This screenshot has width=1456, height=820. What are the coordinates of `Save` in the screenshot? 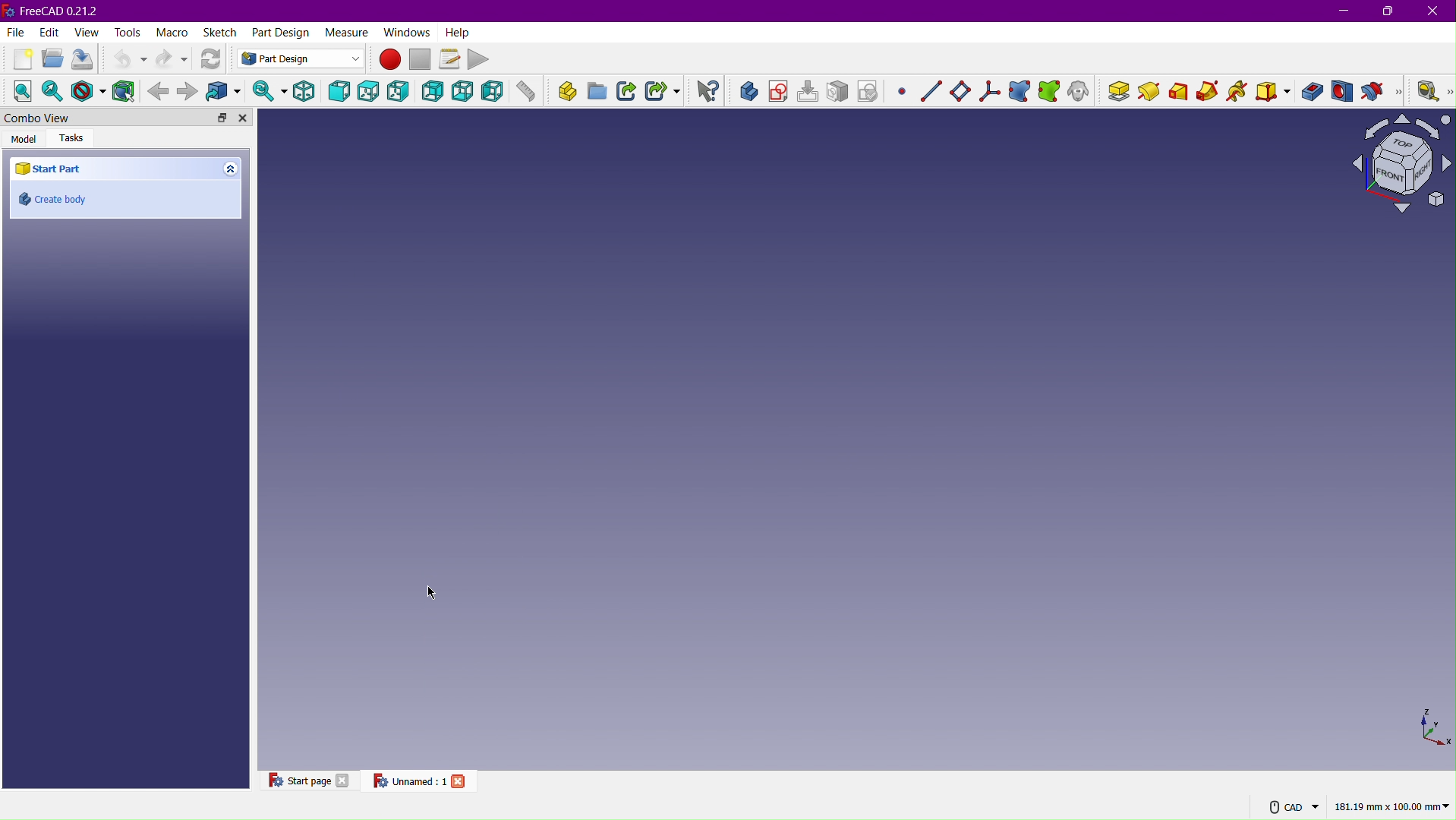 It's located at (84, 59).